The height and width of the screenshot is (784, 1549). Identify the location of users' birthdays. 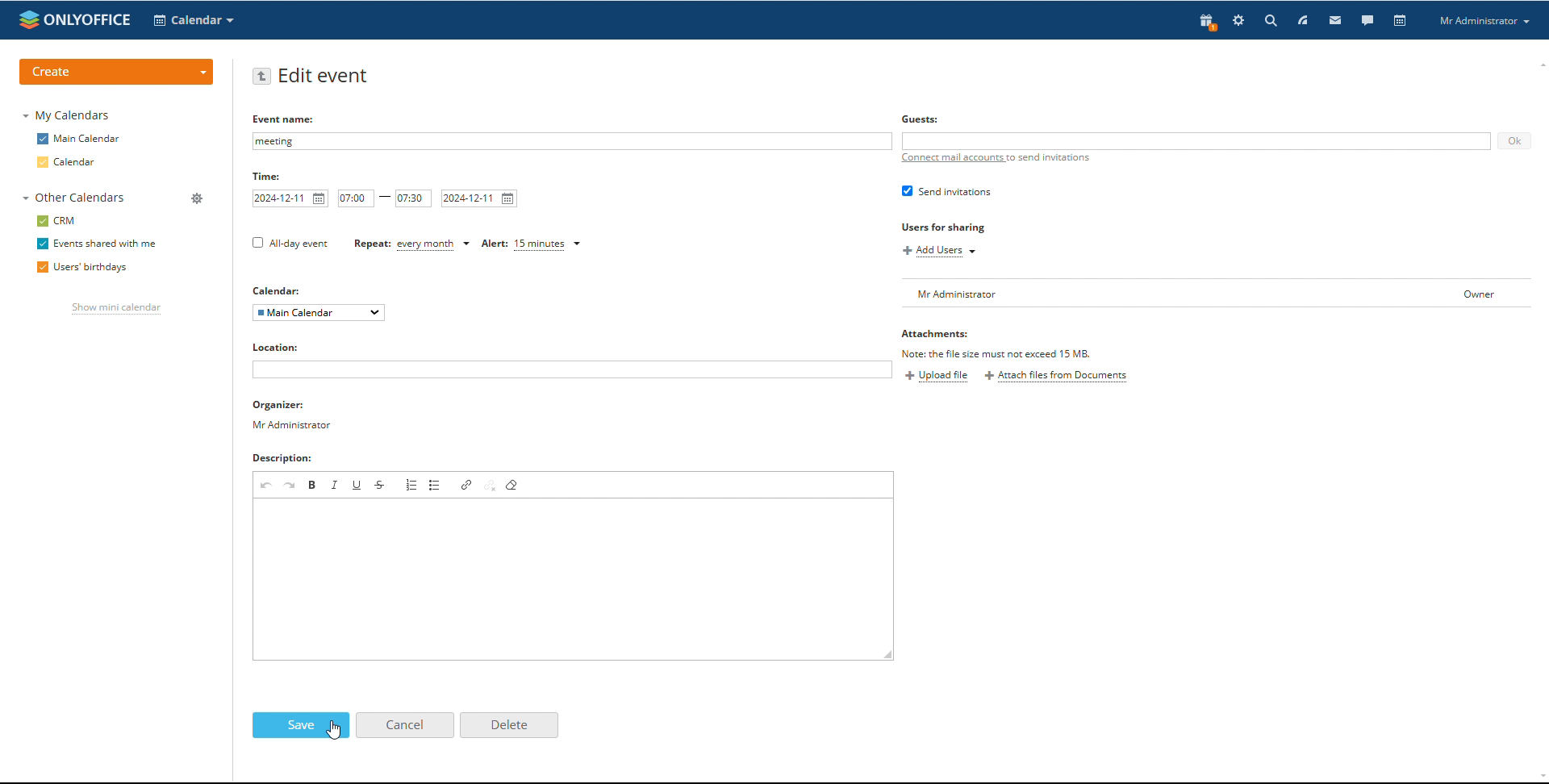
(80, 269).